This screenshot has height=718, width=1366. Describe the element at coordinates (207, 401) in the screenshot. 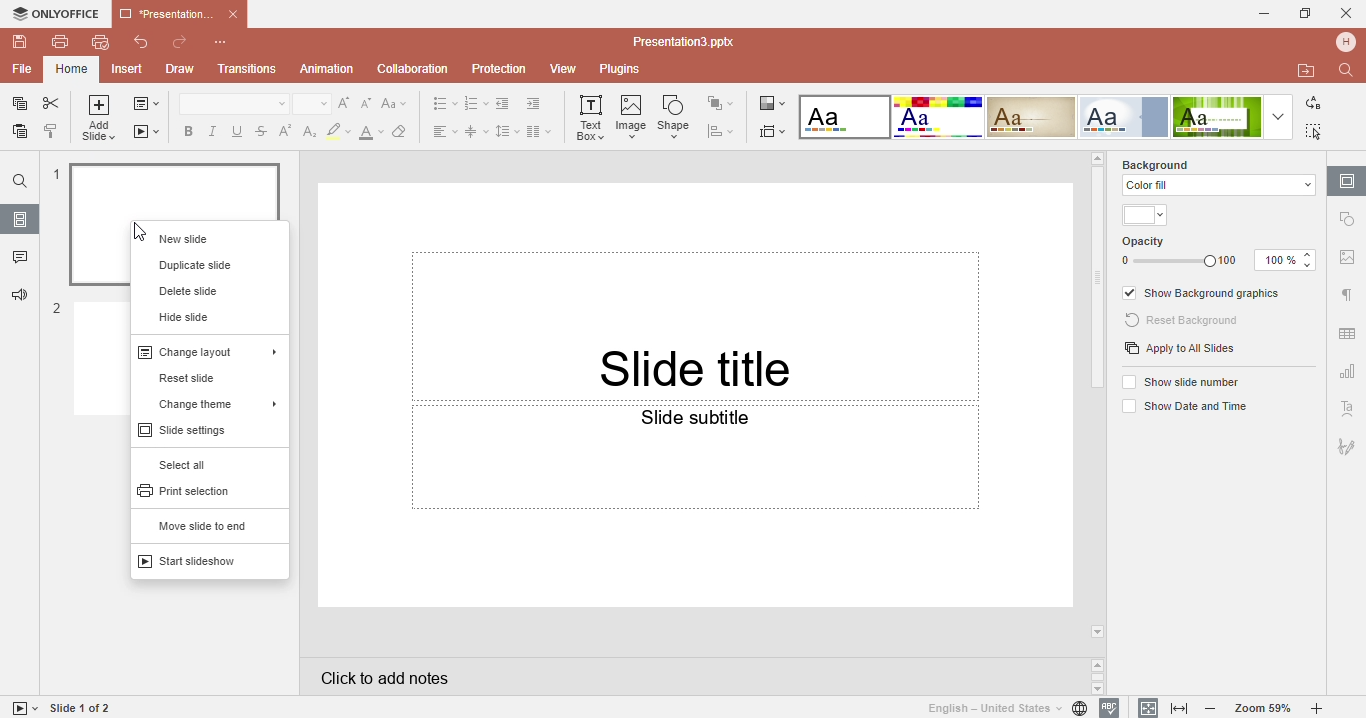

I see `Change theme` at that location.